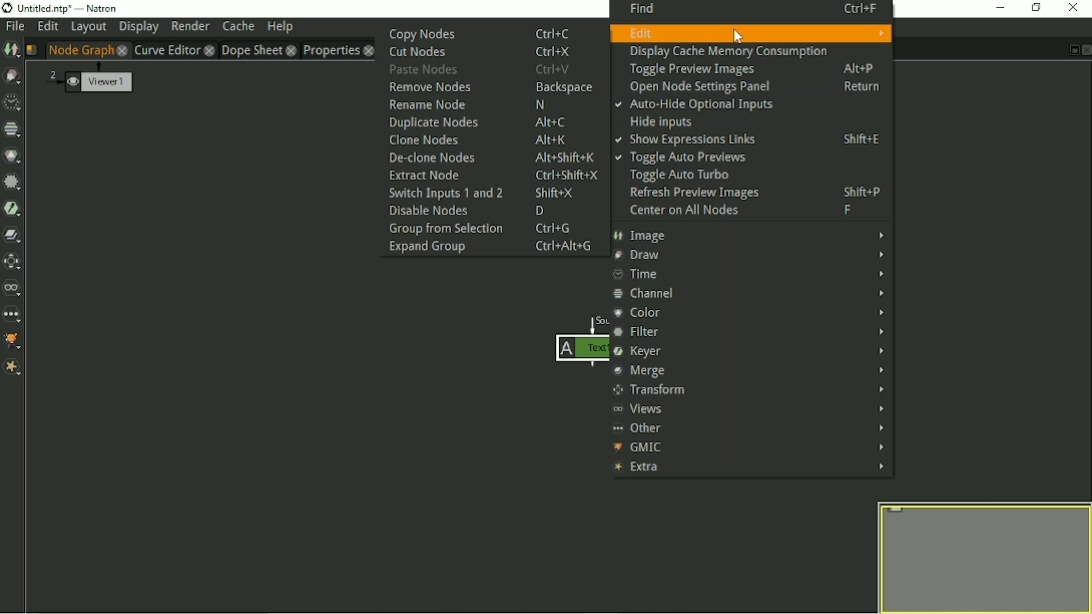  I want to click on Expand Group, so click(491, 248).